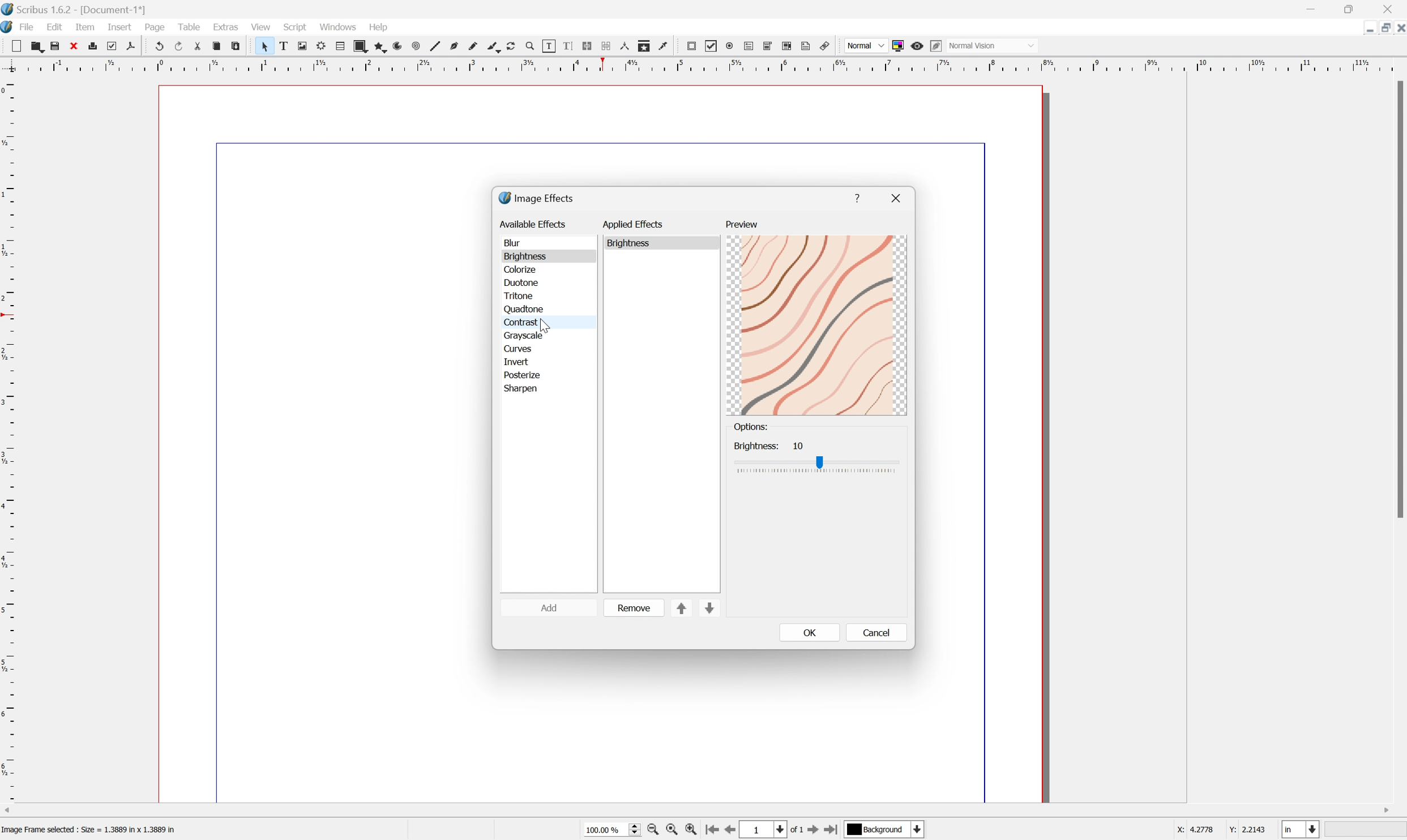  What do you see at coordinates (362, 45) in the screenshot?
I see `Shape` at bounding box center [362, 45].